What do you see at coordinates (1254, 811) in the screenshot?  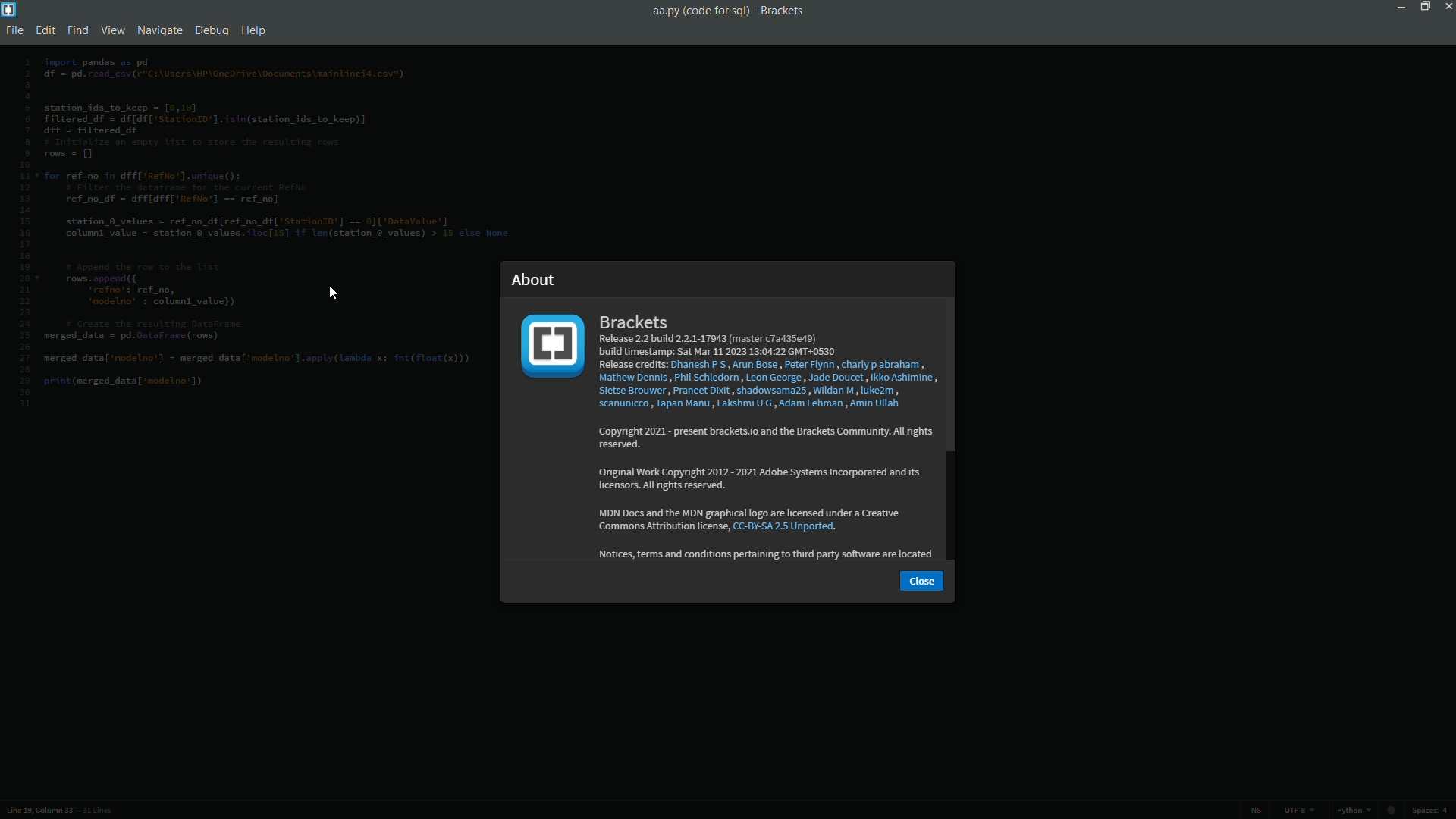 I see `ins` at bounding box center [1254, 811].